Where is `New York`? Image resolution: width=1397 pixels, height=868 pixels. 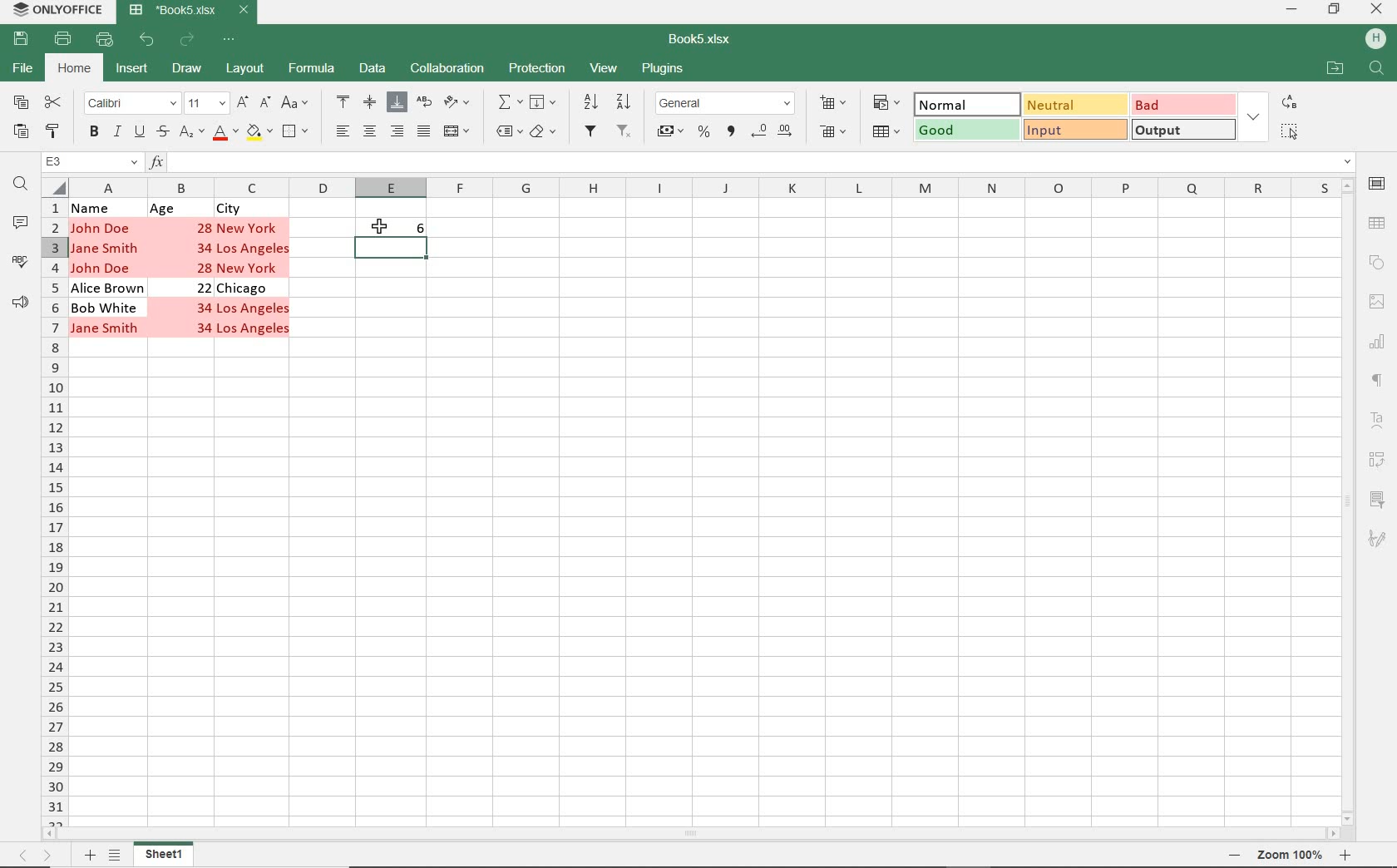
New York is located at coordinates (249, 227).